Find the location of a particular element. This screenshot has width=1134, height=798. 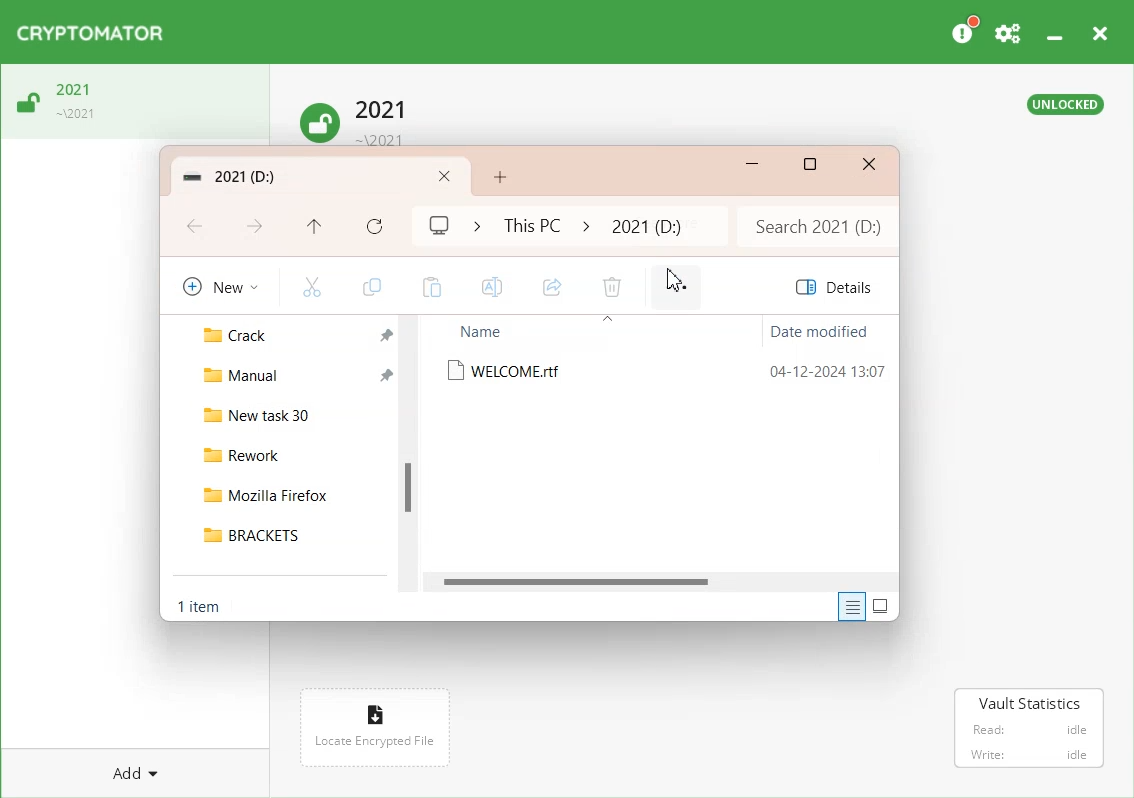

Name is located at coordinates (488, 332).